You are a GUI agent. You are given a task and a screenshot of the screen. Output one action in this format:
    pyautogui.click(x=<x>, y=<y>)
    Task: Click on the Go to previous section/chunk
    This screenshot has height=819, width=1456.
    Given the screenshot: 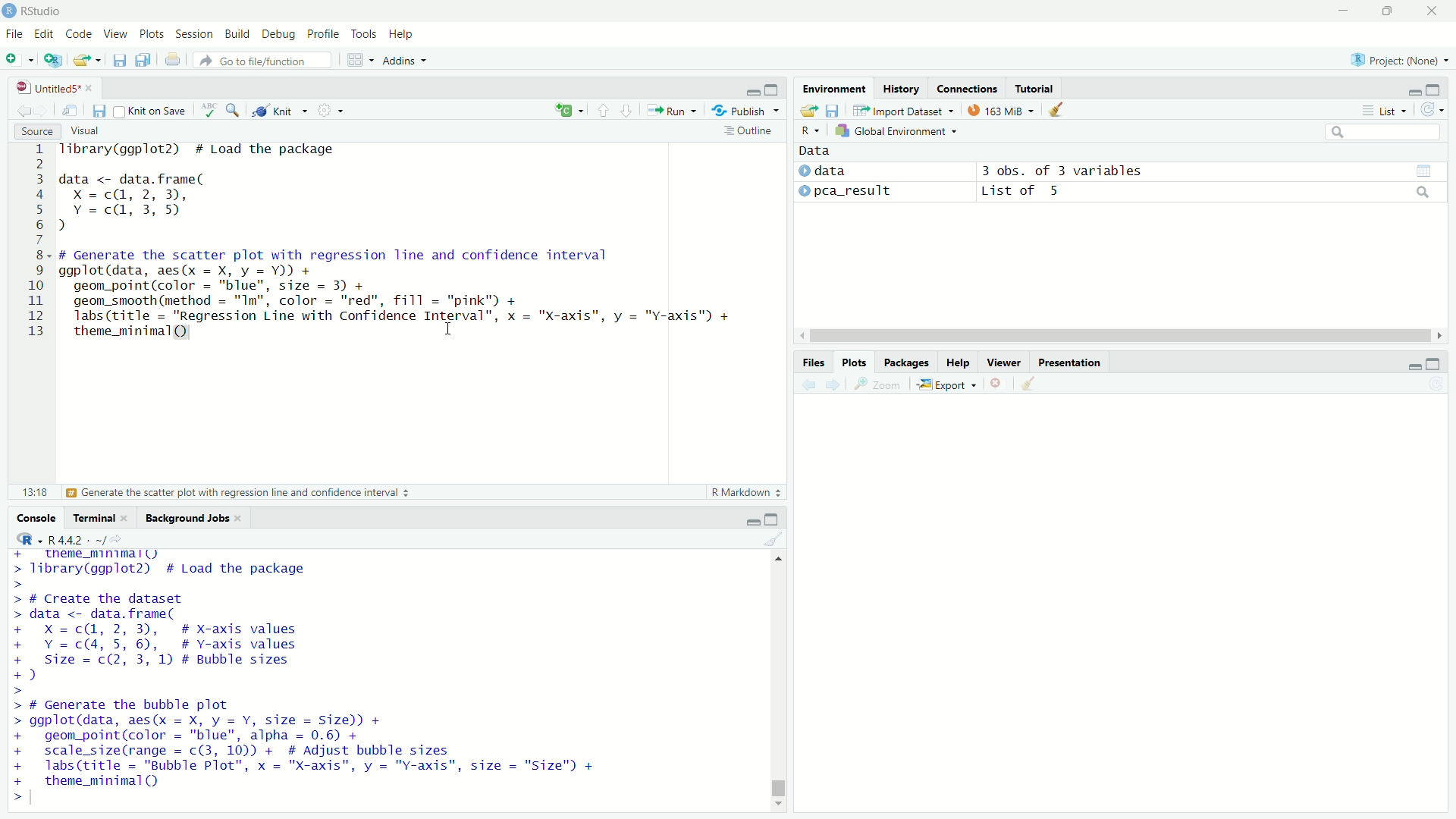 What is the action you would take?
    pyautogui.click(x=601, y=109)
    